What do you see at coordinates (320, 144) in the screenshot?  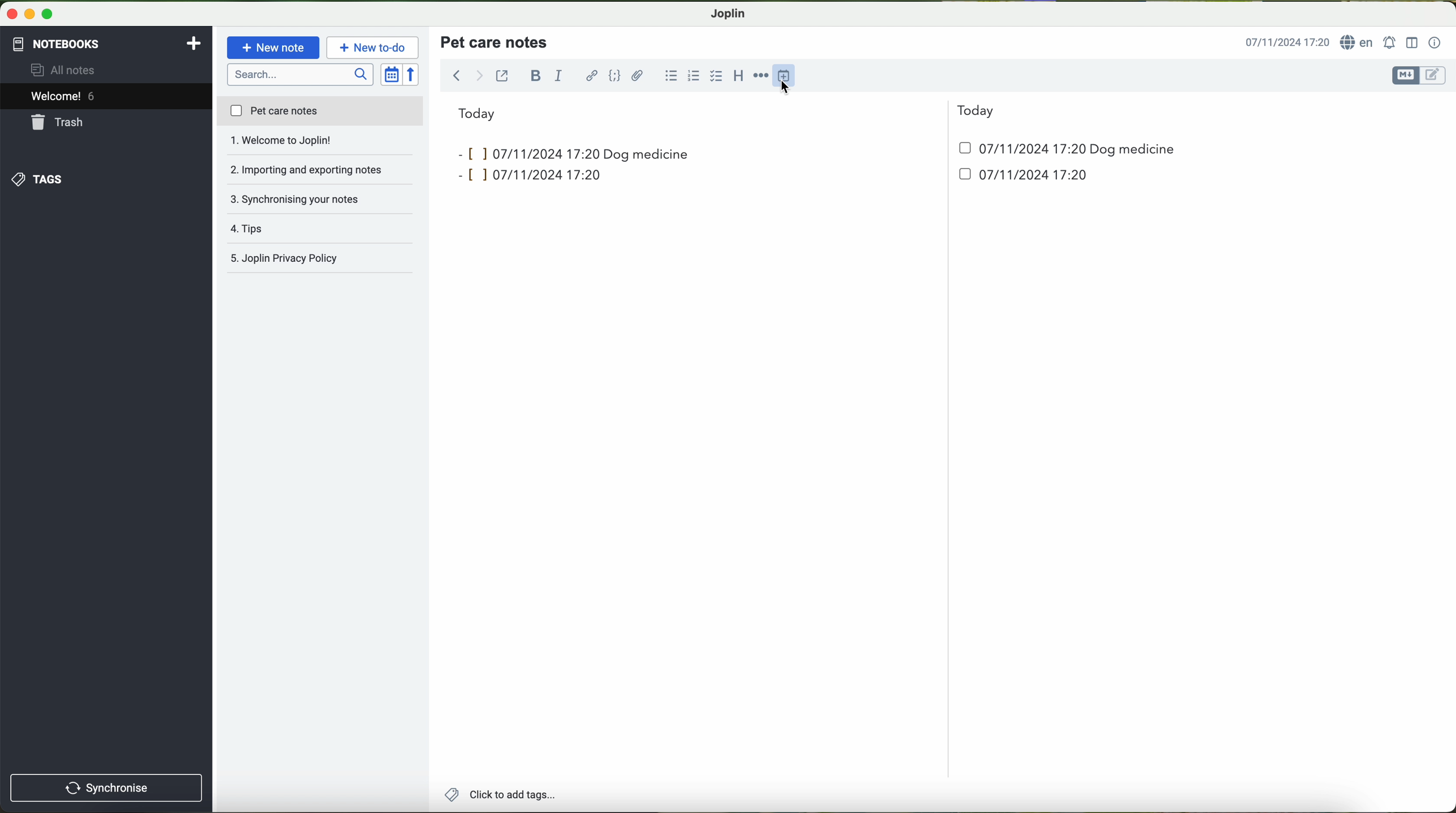 I see `importing and exporting notes` at bounding box center [320, 144].